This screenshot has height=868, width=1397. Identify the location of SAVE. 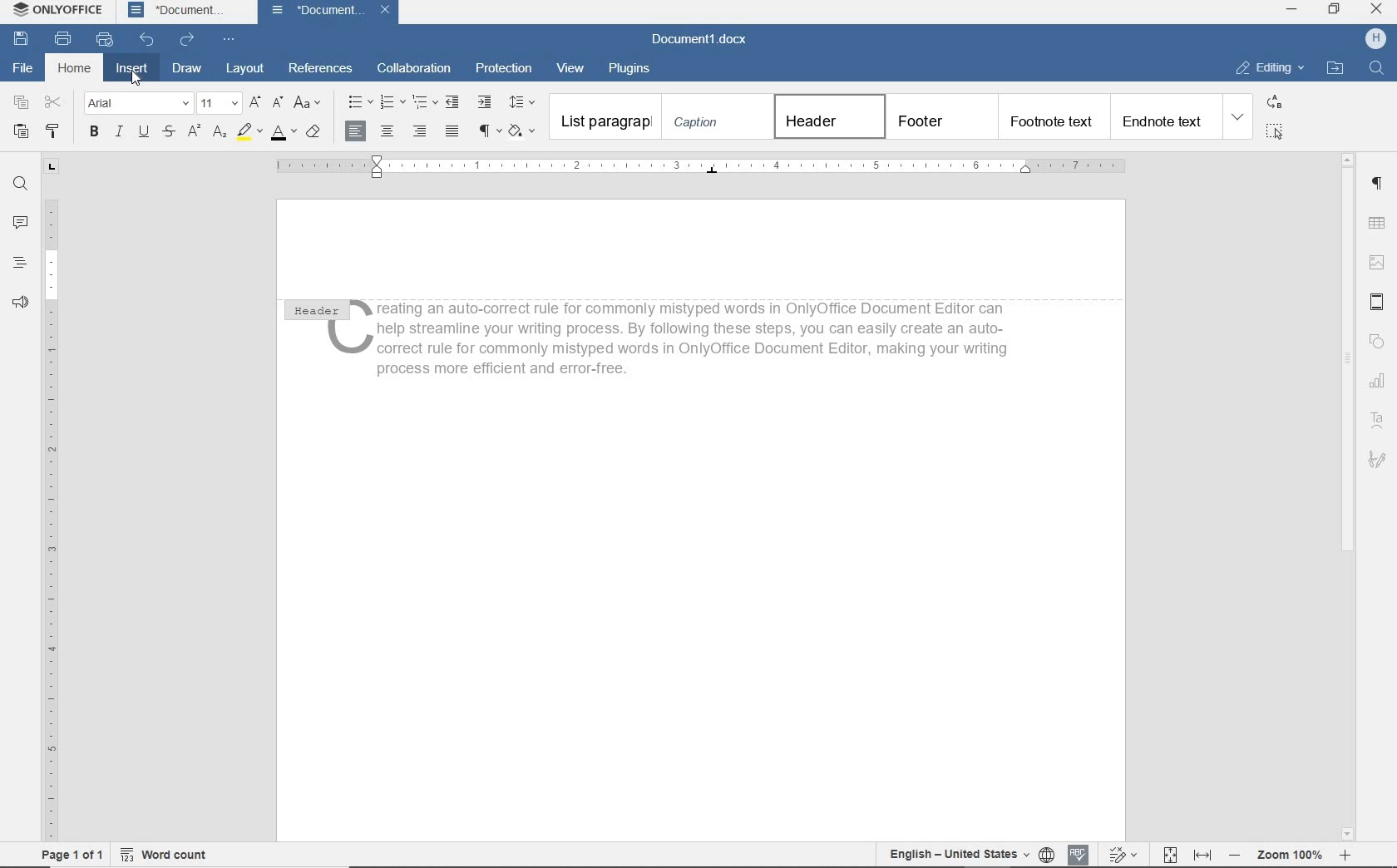
(23, 38).